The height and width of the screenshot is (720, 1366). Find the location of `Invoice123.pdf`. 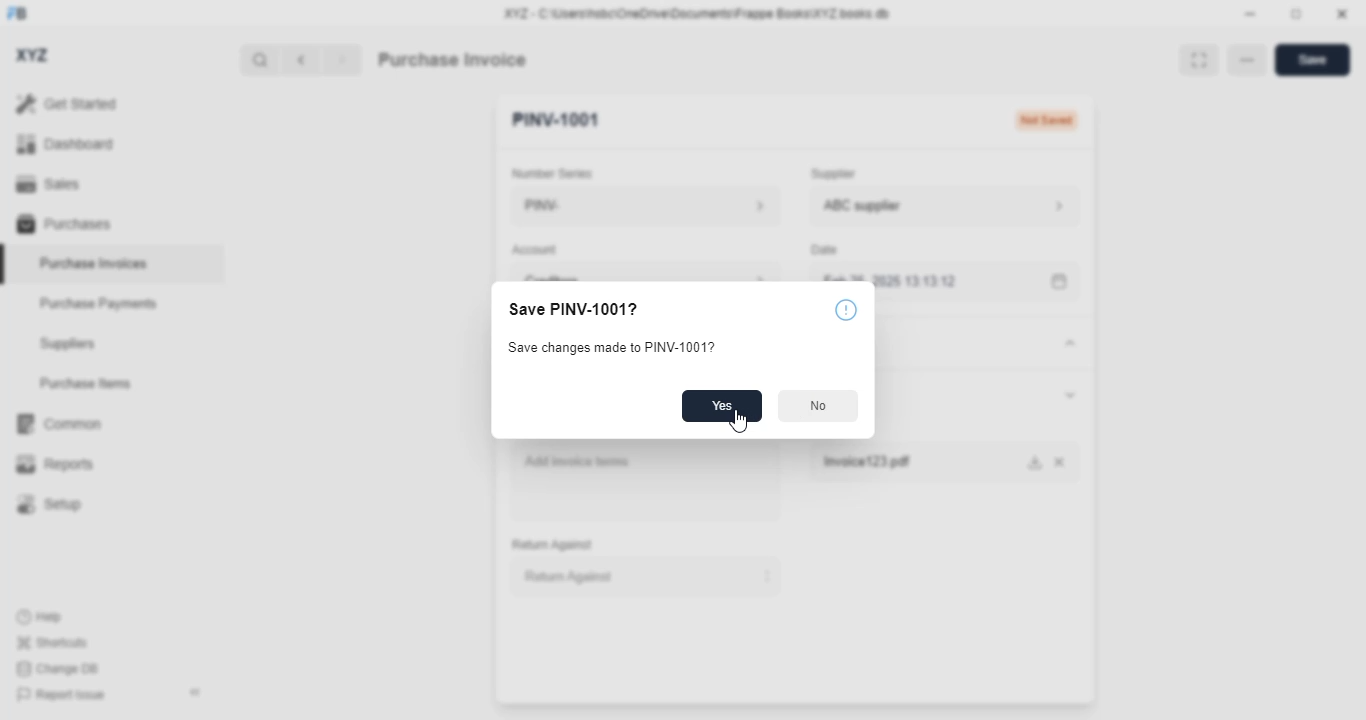

Invoice123.pdf is located at coordinates (901, 462).